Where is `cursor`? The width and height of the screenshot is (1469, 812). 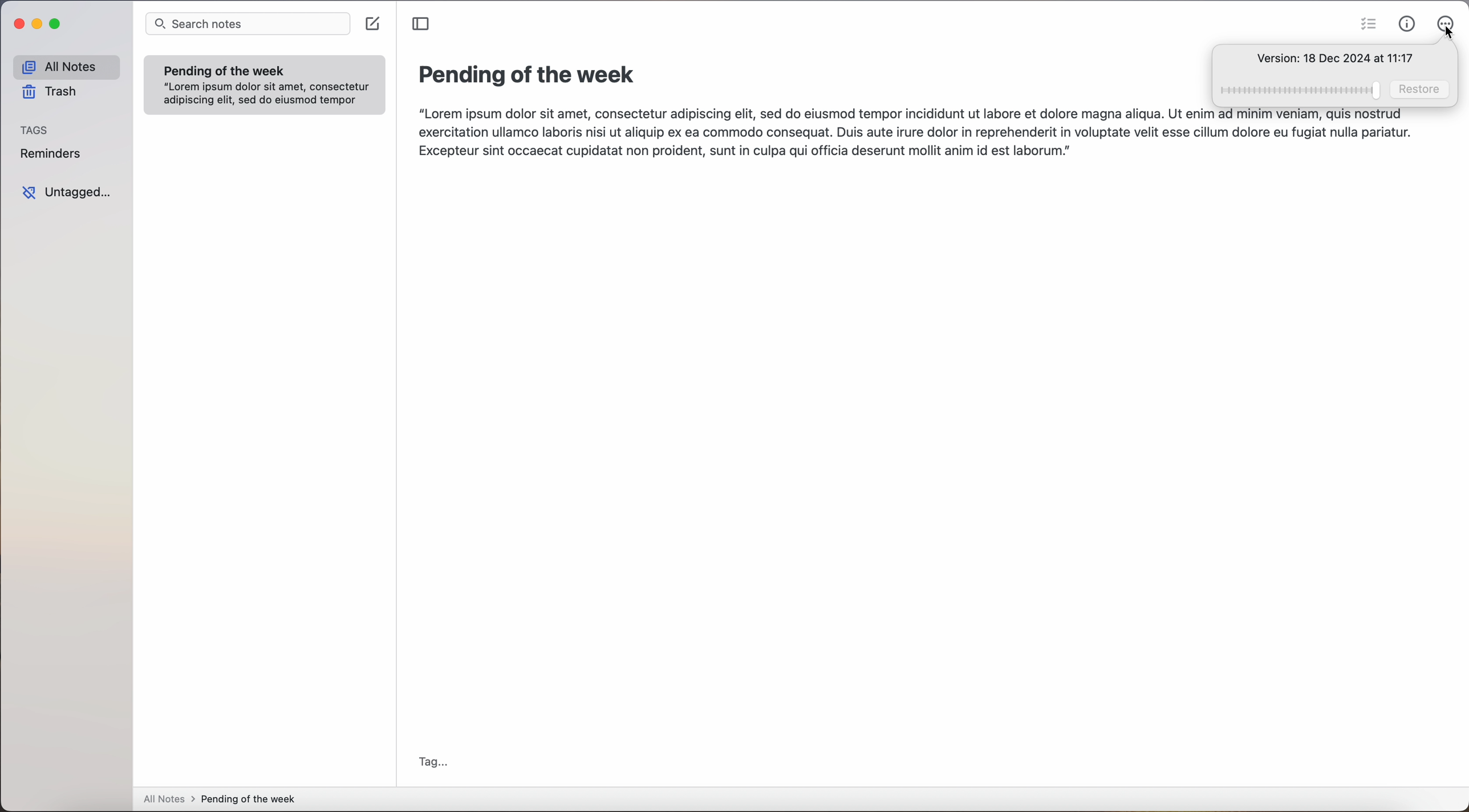
cursor is located at coordinates (1447, 36).